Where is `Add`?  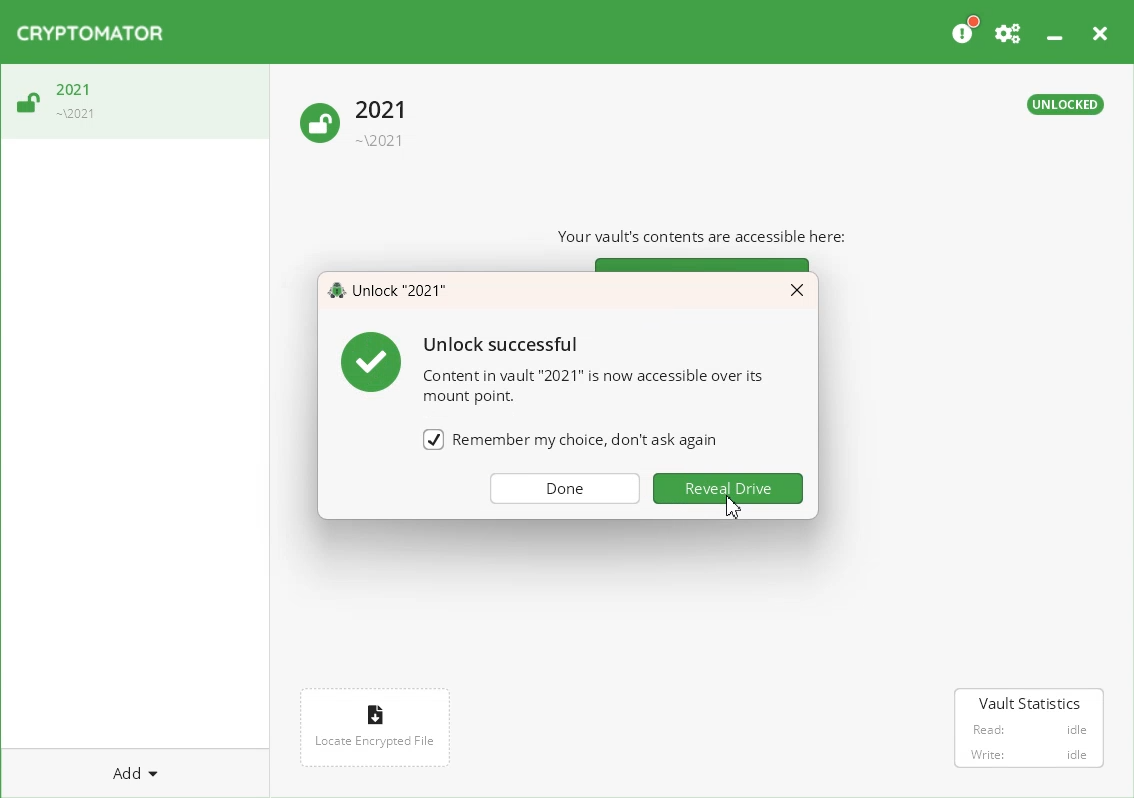
Add is located at coordinates (135, 772).